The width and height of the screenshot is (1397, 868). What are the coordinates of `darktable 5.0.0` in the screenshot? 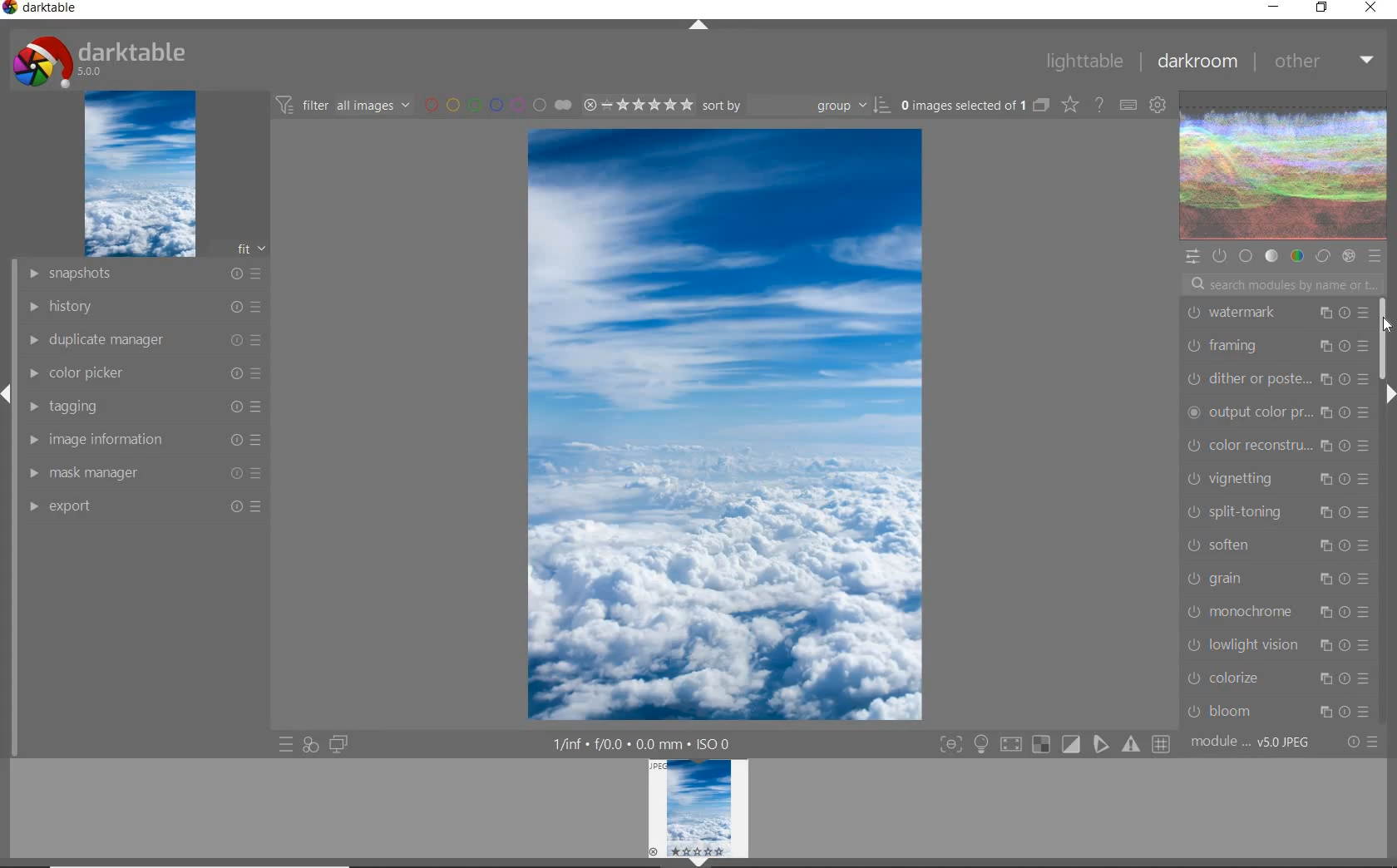 It's located at (96, 58).